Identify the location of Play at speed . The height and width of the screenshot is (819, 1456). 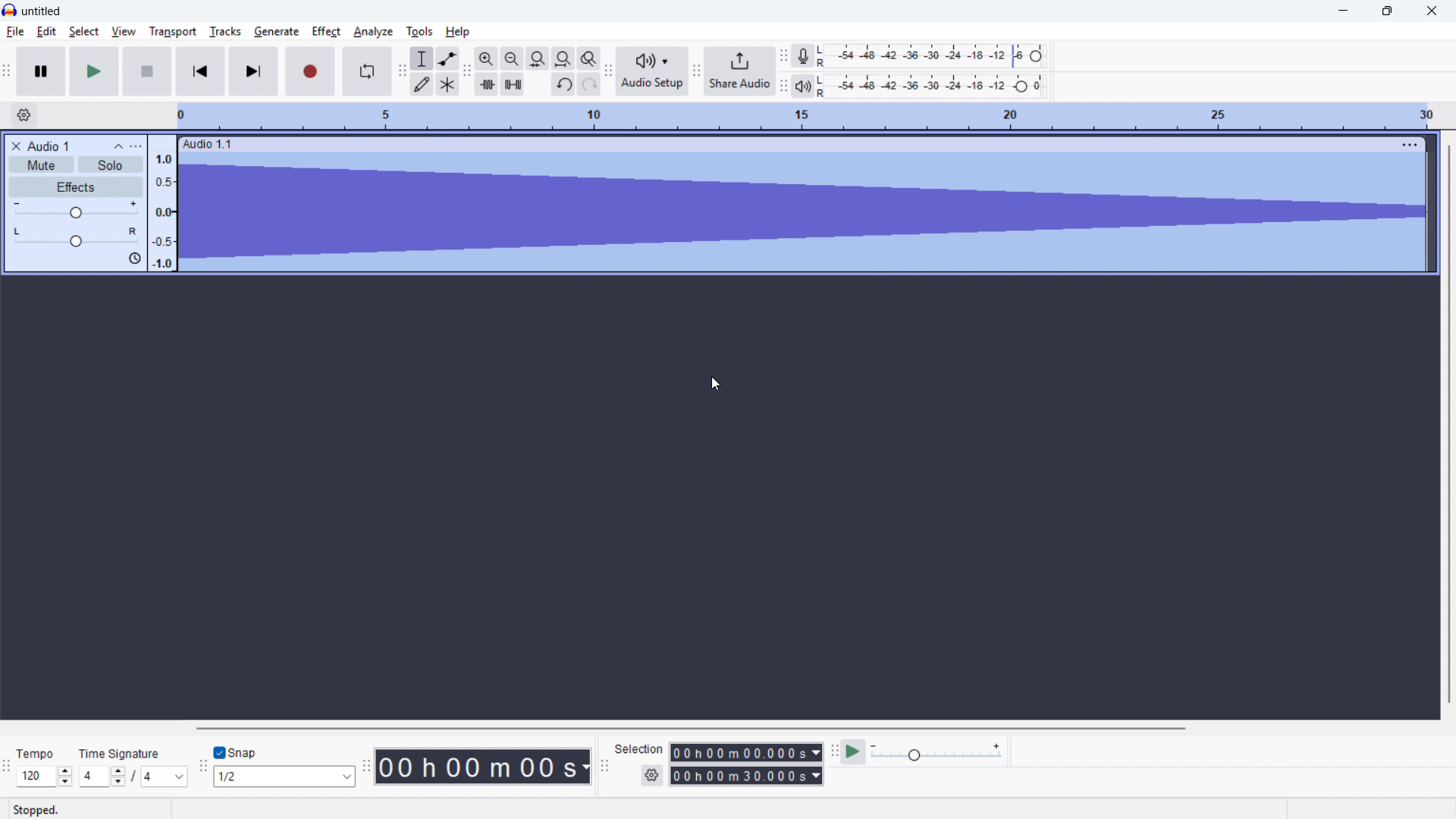
(854, 751).